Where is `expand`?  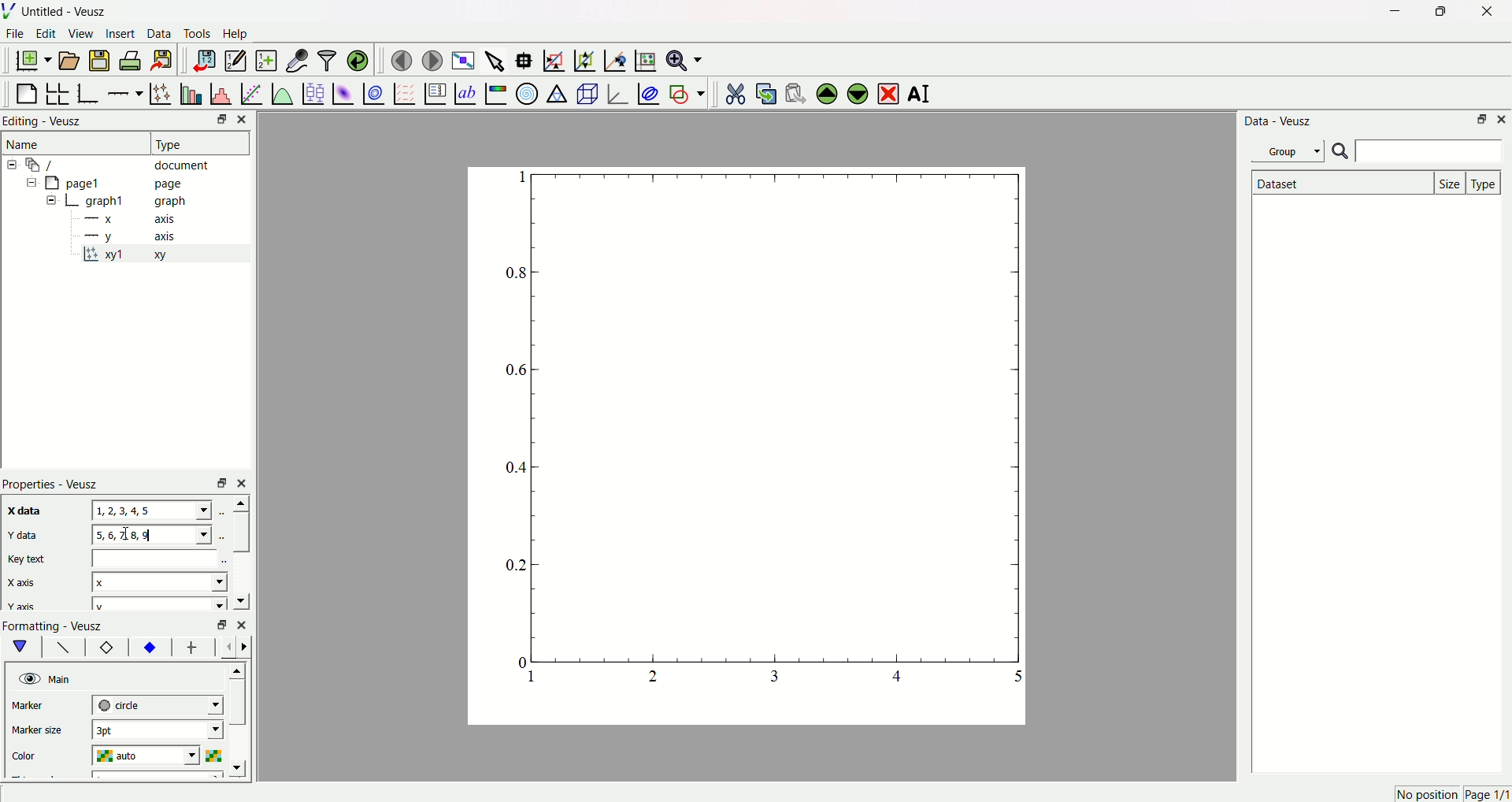 expand is located at coordinates (52, 201).